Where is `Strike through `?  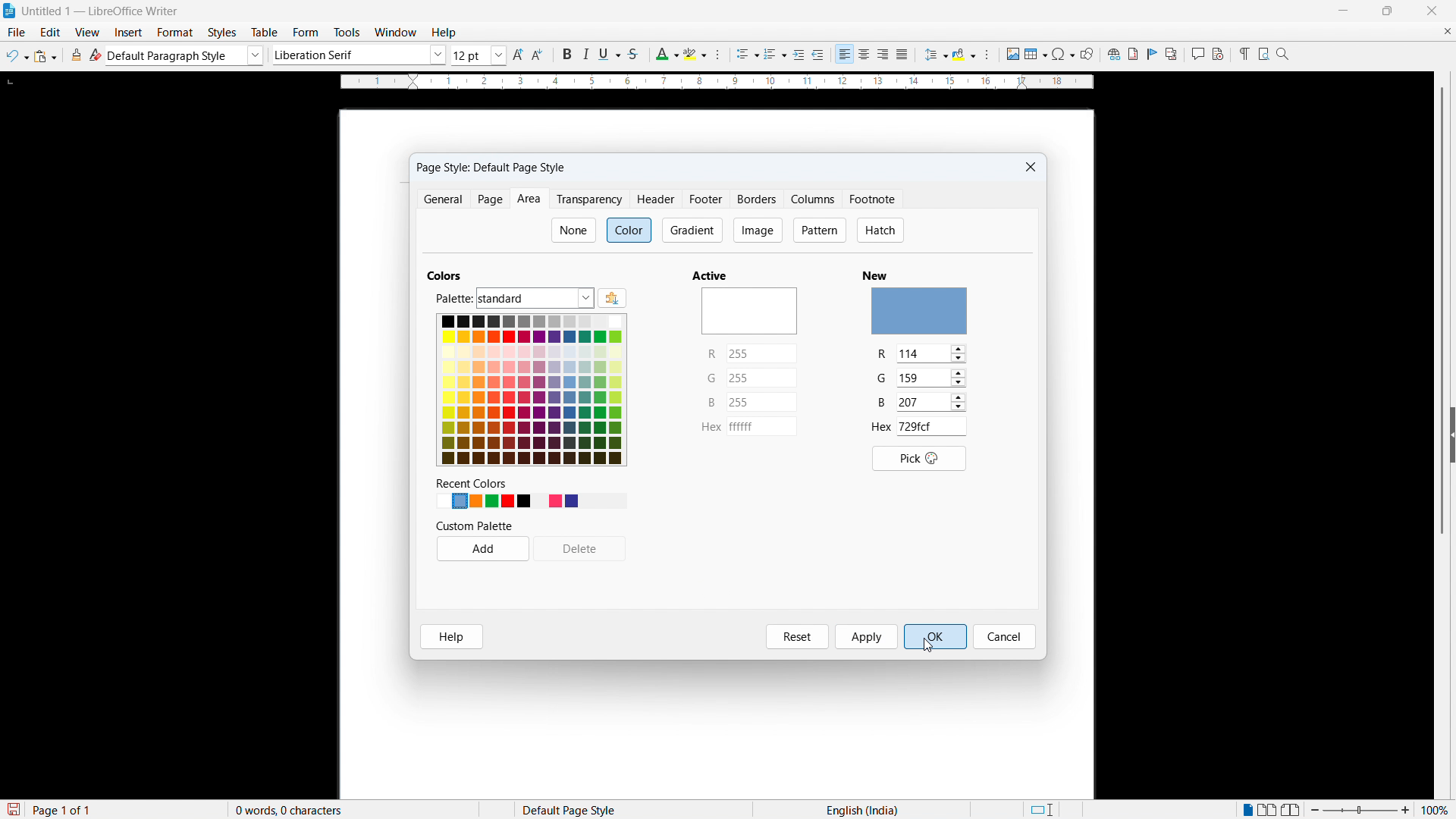 Strike through  is located at coordinates (632, 54).